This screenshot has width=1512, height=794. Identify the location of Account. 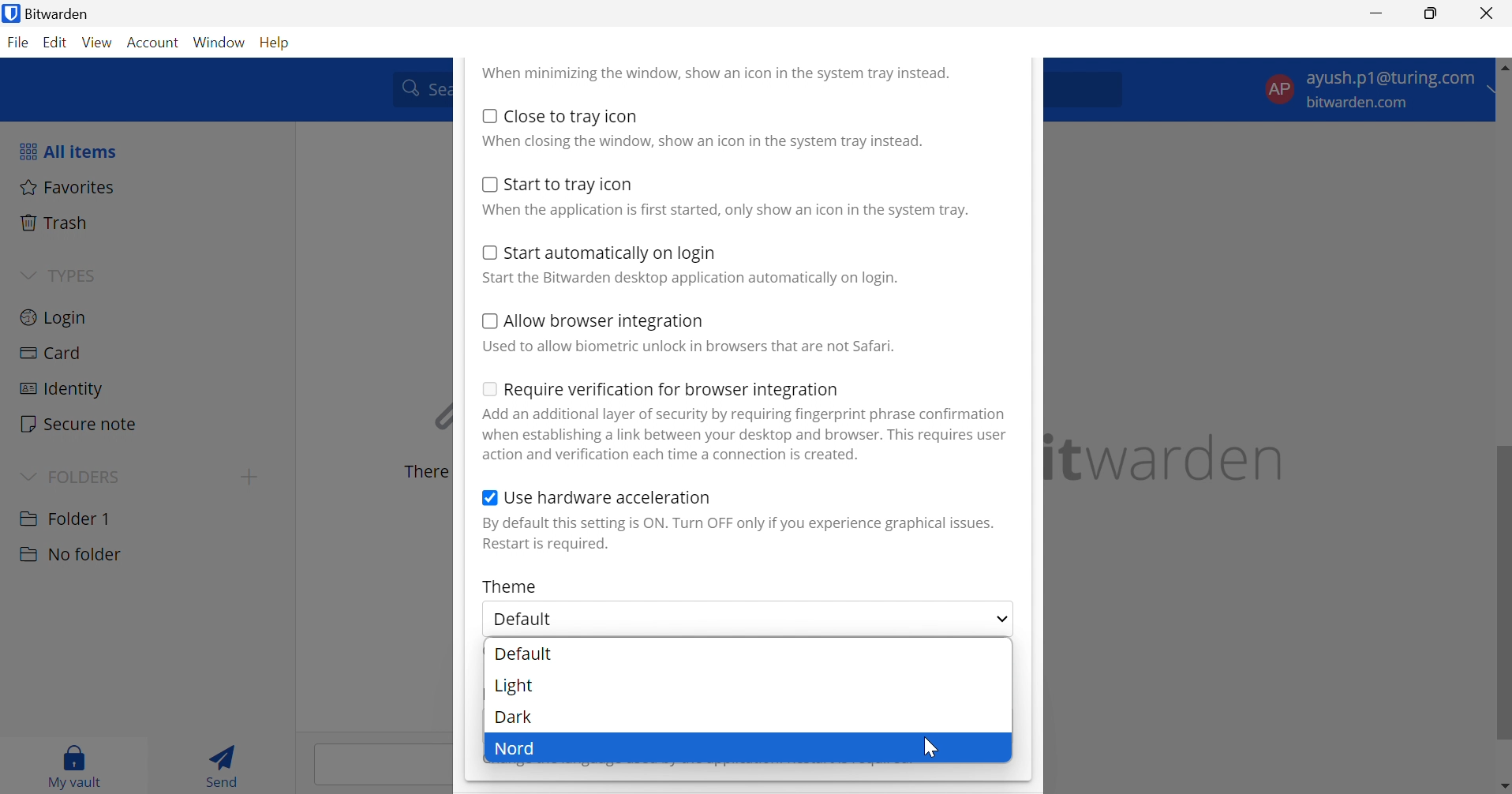
(155, 43).